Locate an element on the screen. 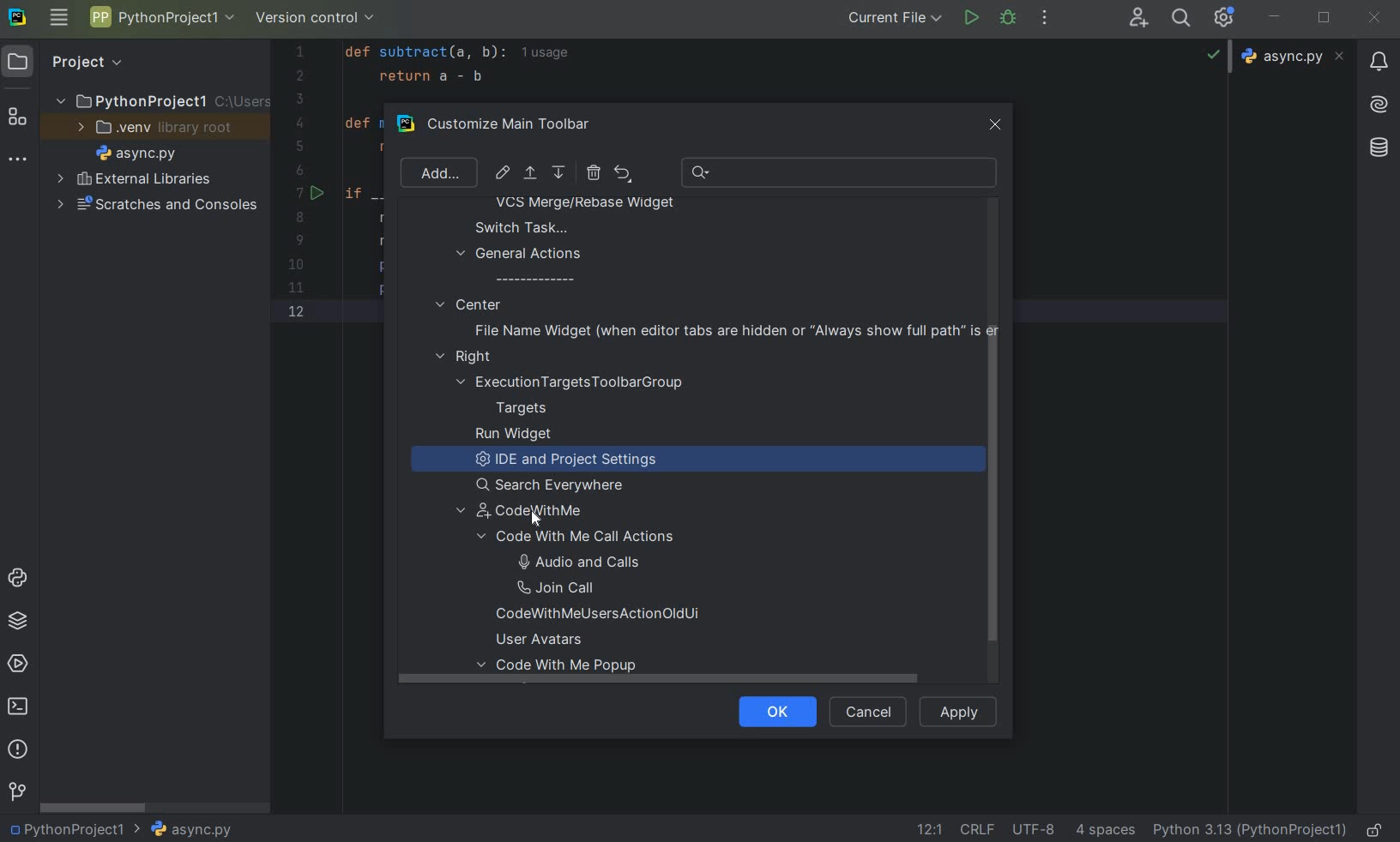 The width and height of the screenshot is (1400, 842). MINIMIZE is located at coordinates (1276, 18).